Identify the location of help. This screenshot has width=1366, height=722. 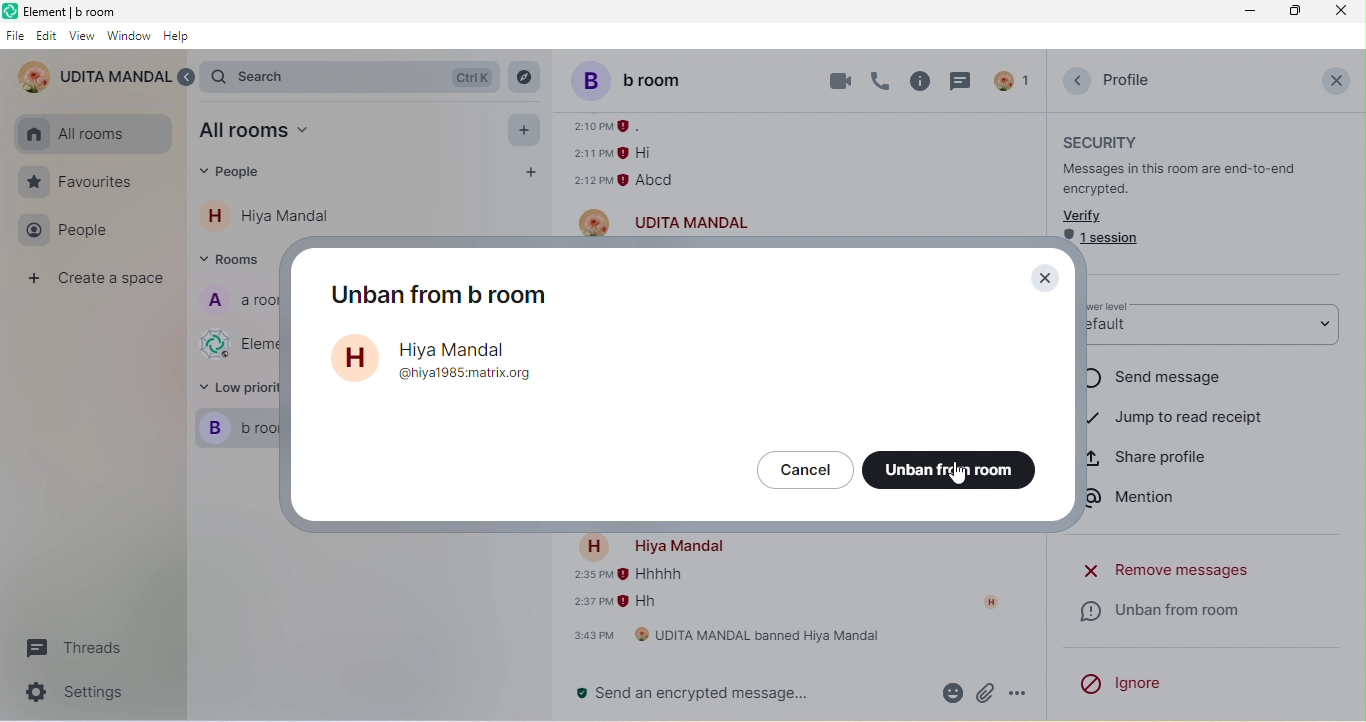
(175, 37).